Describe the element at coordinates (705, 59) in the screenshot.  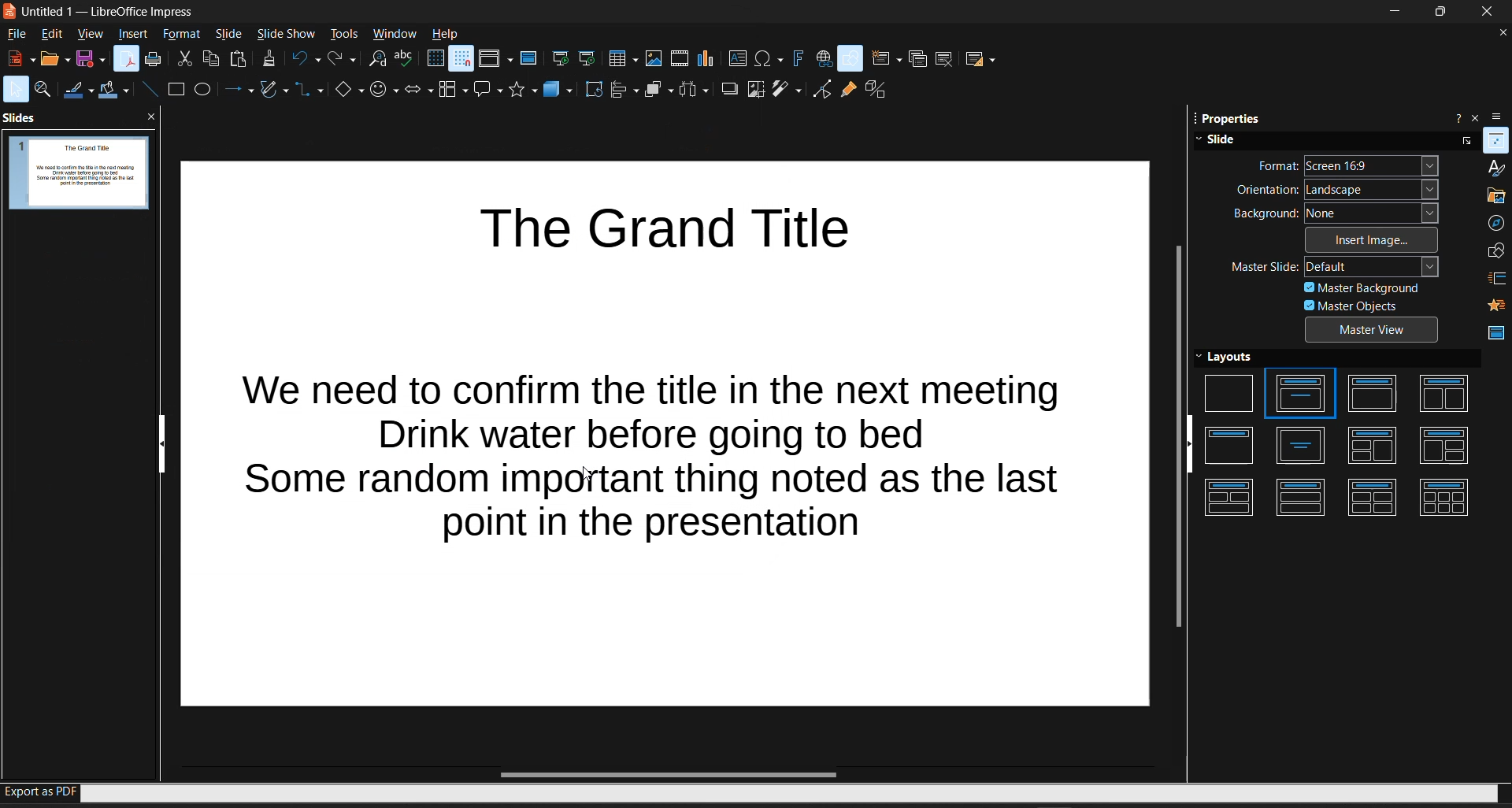
I see `insert chart` at that location.